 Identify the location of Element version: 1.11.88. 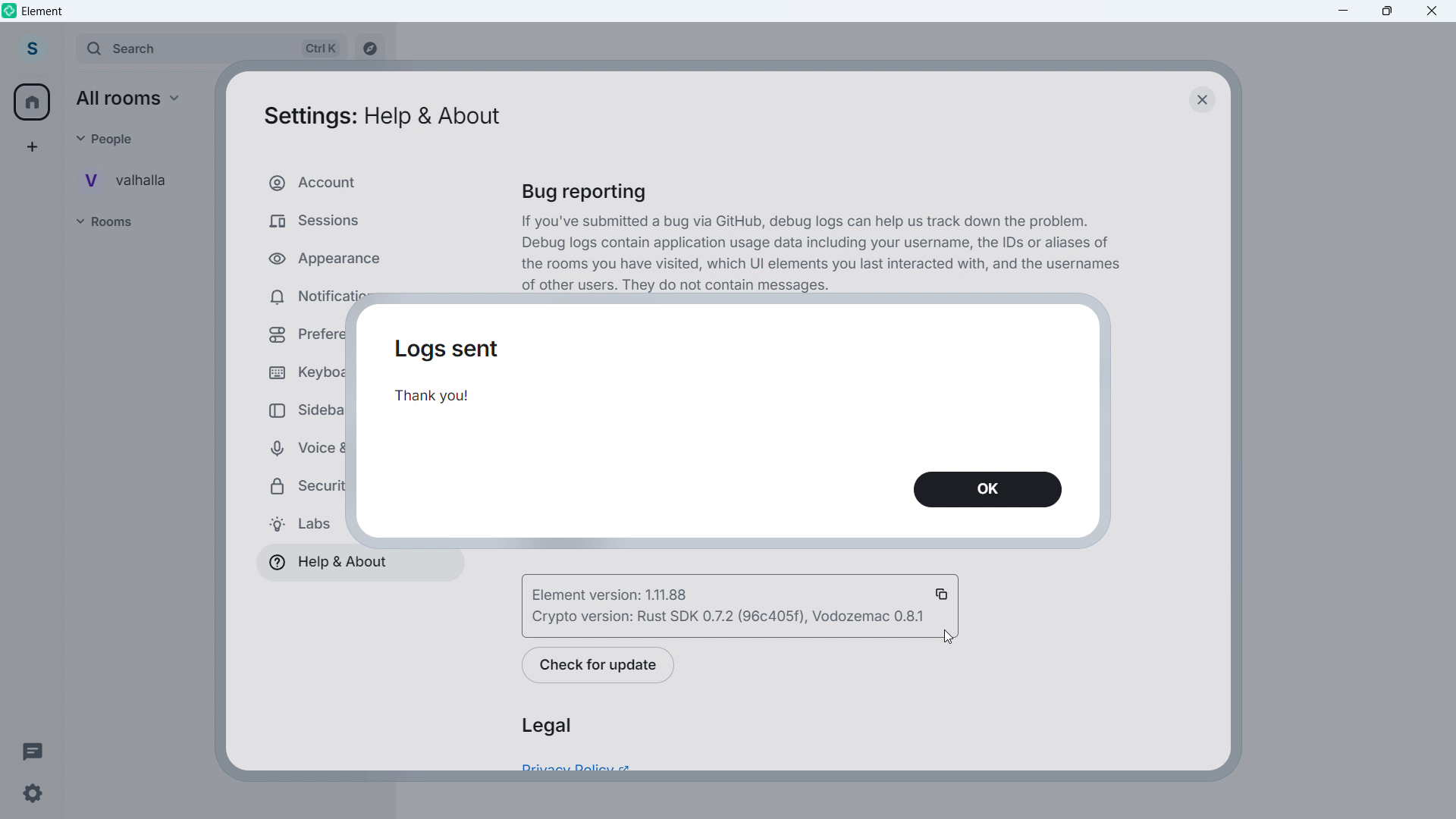
(677, 592).